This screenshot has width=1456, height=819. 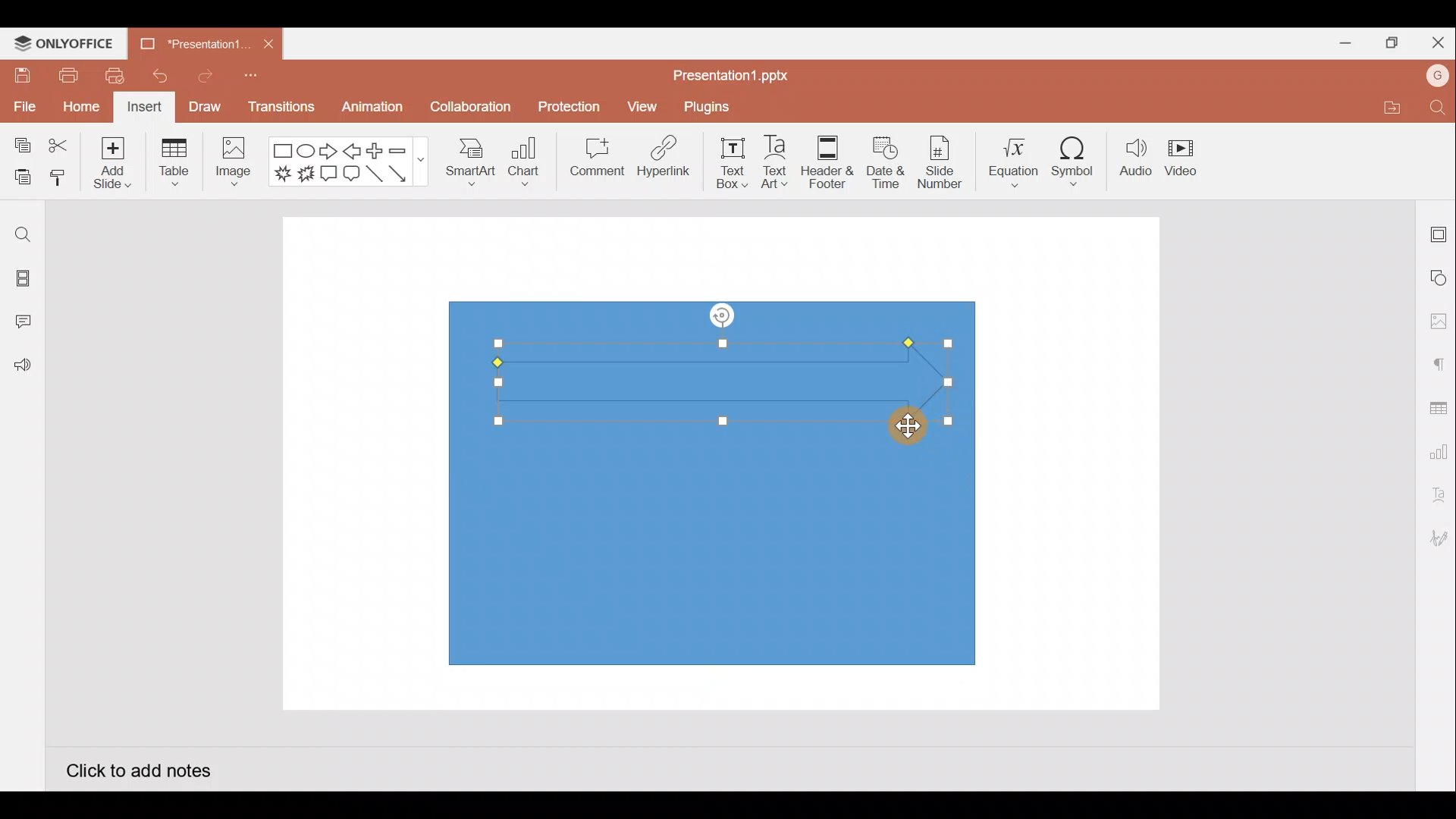 What do you see at coordinates (591, 160) in the screenshot?
I see `Comment` at bounding box center [591, 160].